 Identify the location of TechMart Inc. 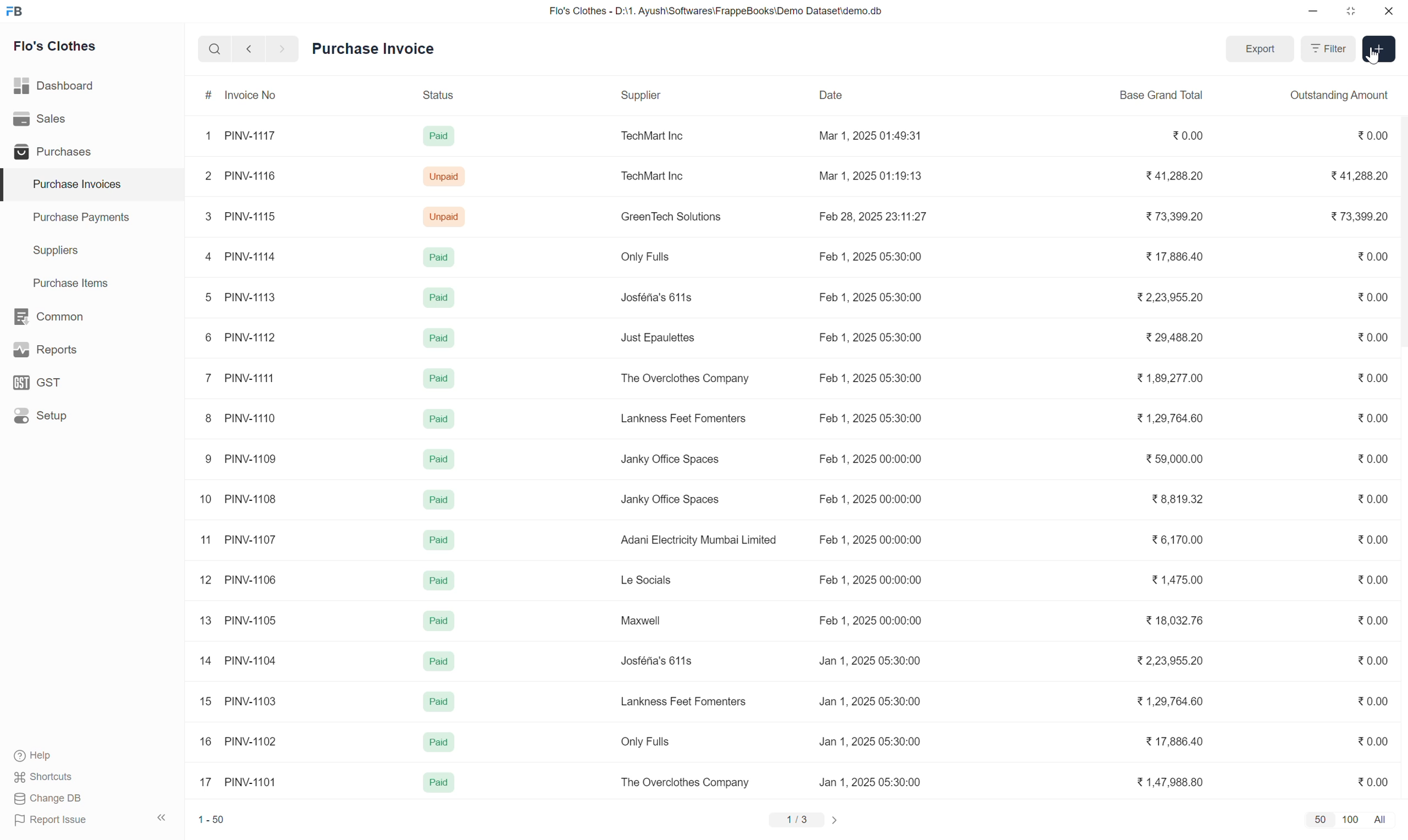
(653, 175).